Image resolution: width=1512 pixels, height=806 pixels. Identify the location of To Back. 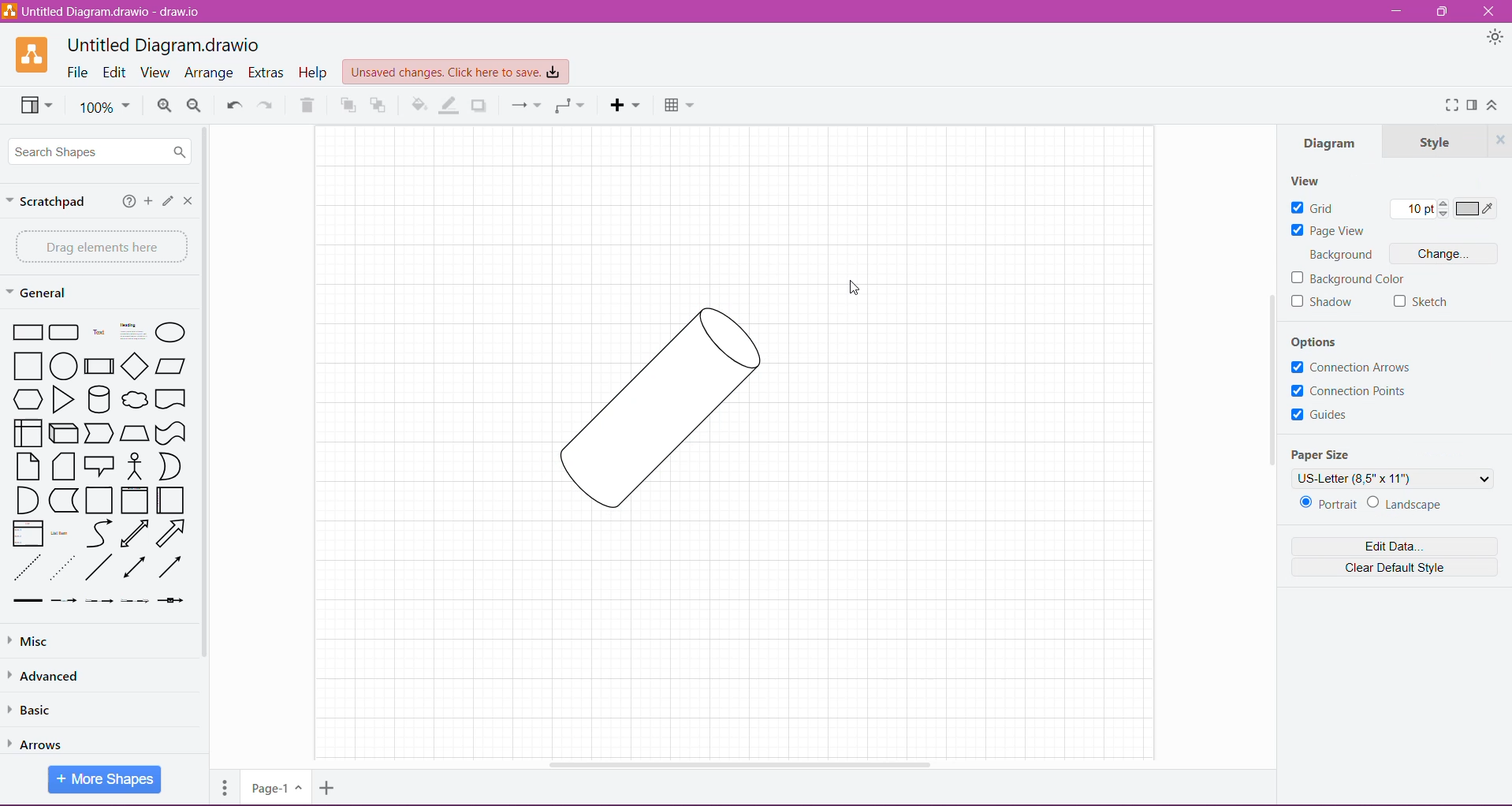
(382, 105).